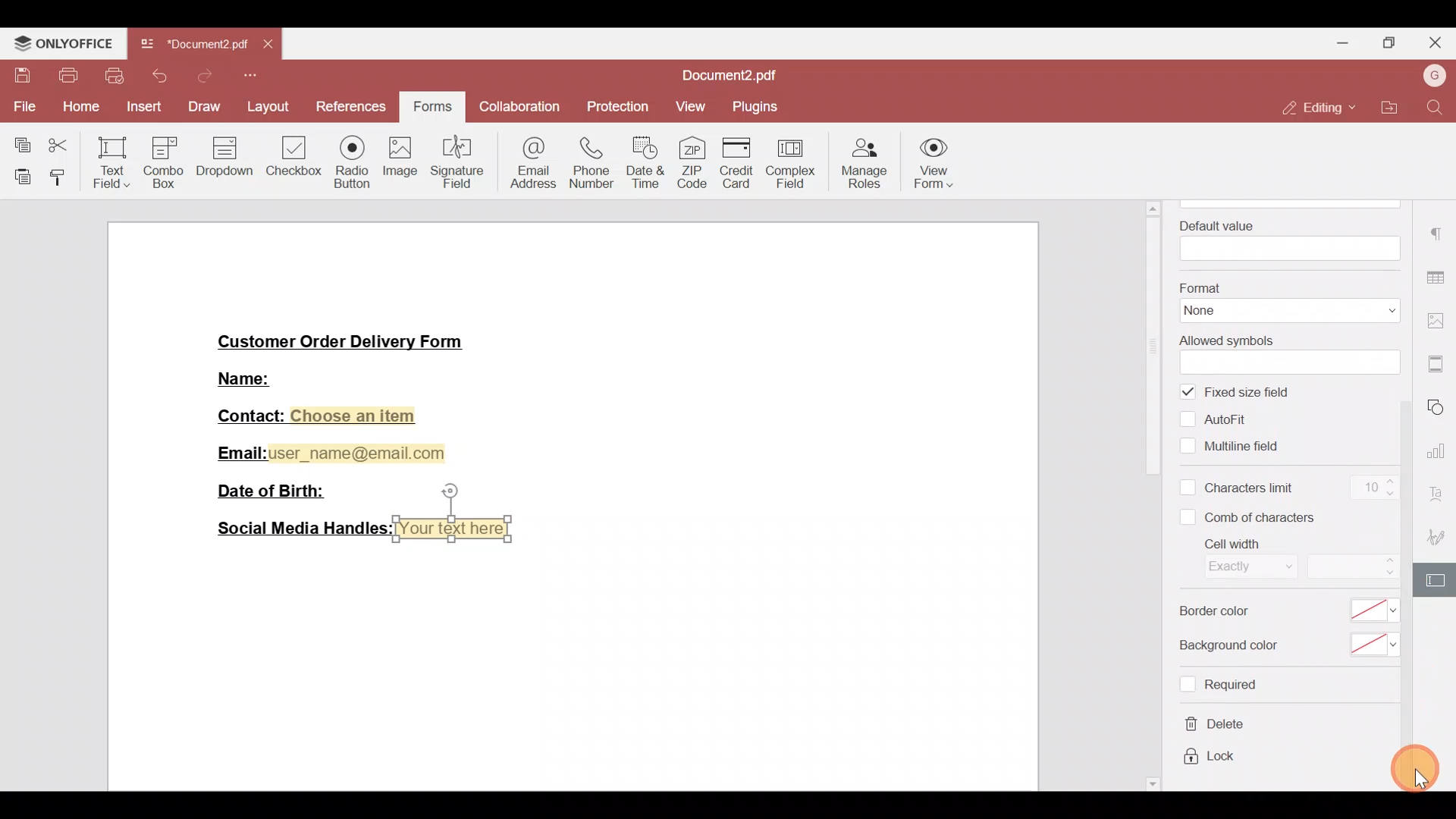 The width and height of the screenshot is (1456, 819). I want to click on Radio button, so click(347, 159).